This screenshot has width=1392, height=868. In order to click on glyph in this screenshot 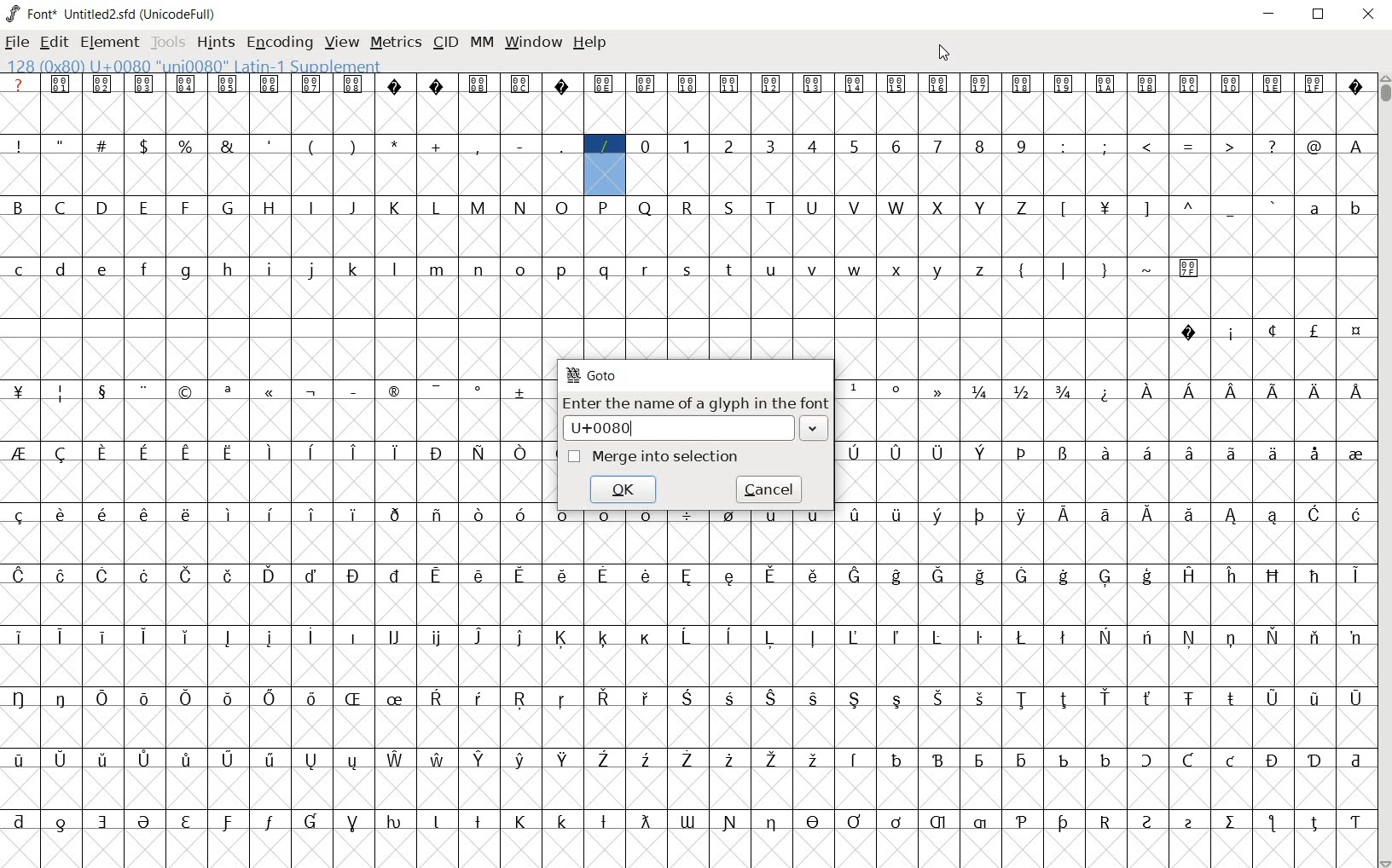, I will do `click(1273, 391)`.